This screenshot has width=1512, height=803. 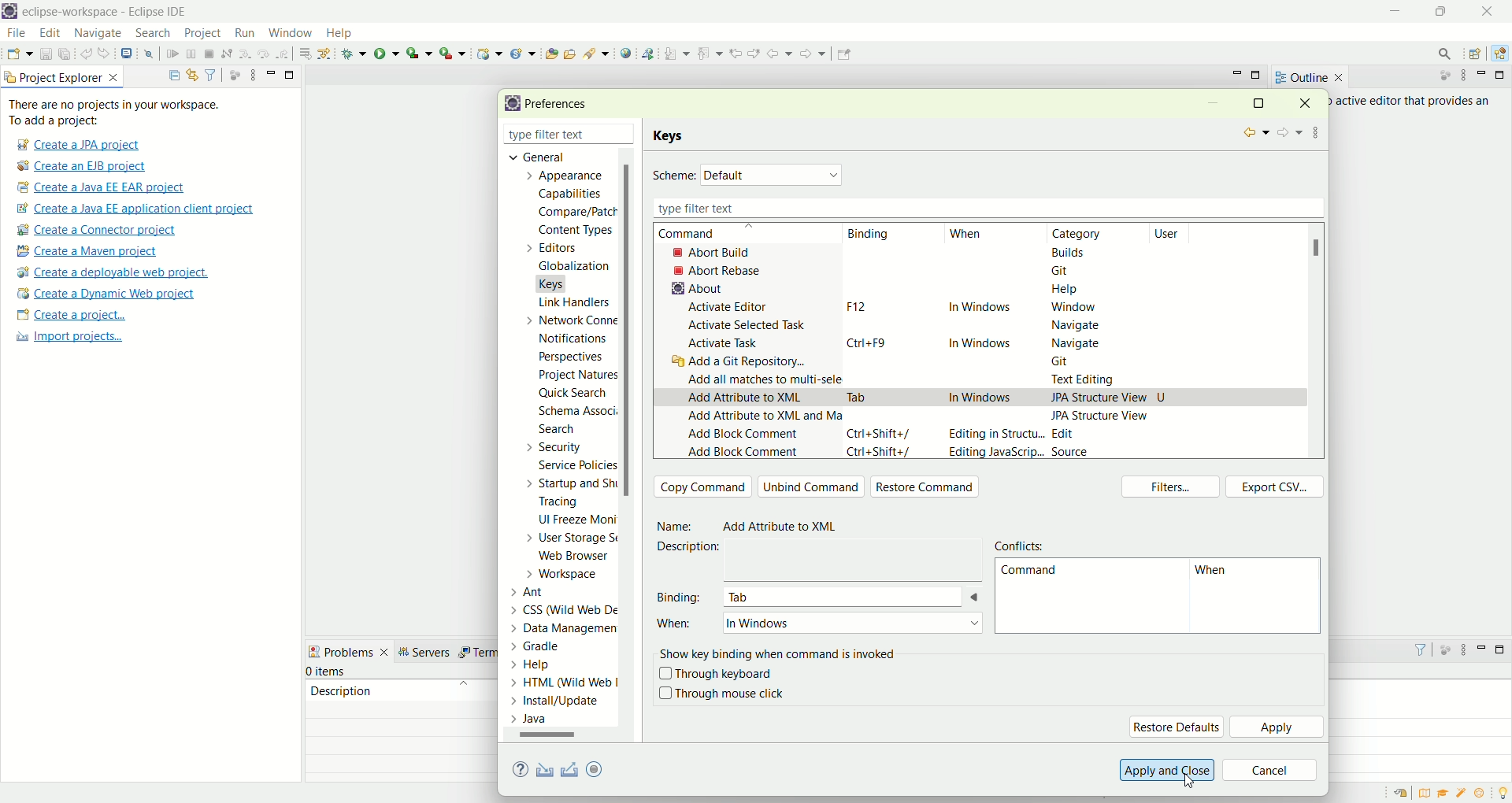 I want to click on create a JPA project, so click(x=76, y=145).